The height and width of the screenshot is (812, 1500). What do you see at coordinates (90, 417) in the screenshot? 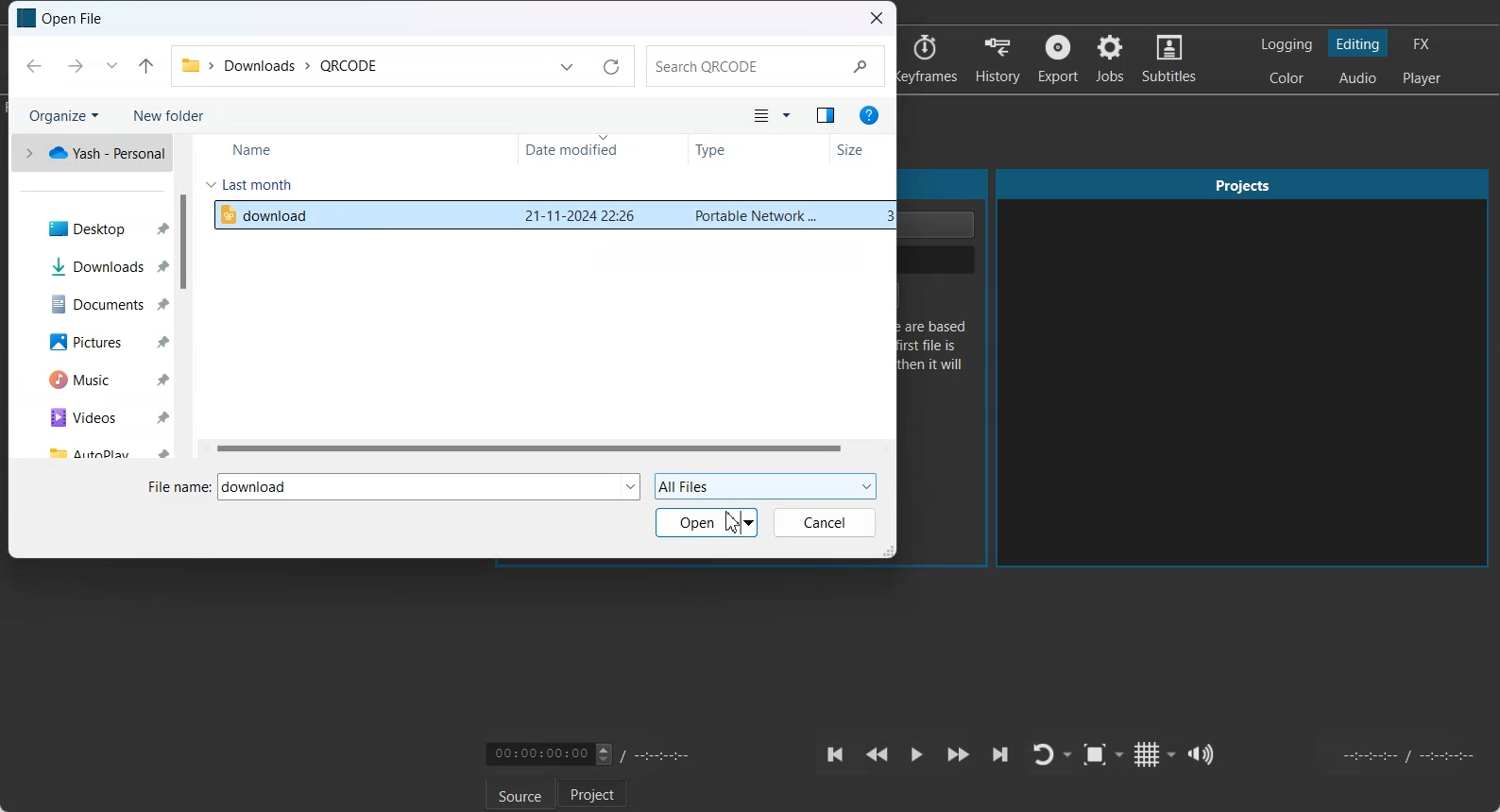
I see `Videos` at bounding box center [90, 417].